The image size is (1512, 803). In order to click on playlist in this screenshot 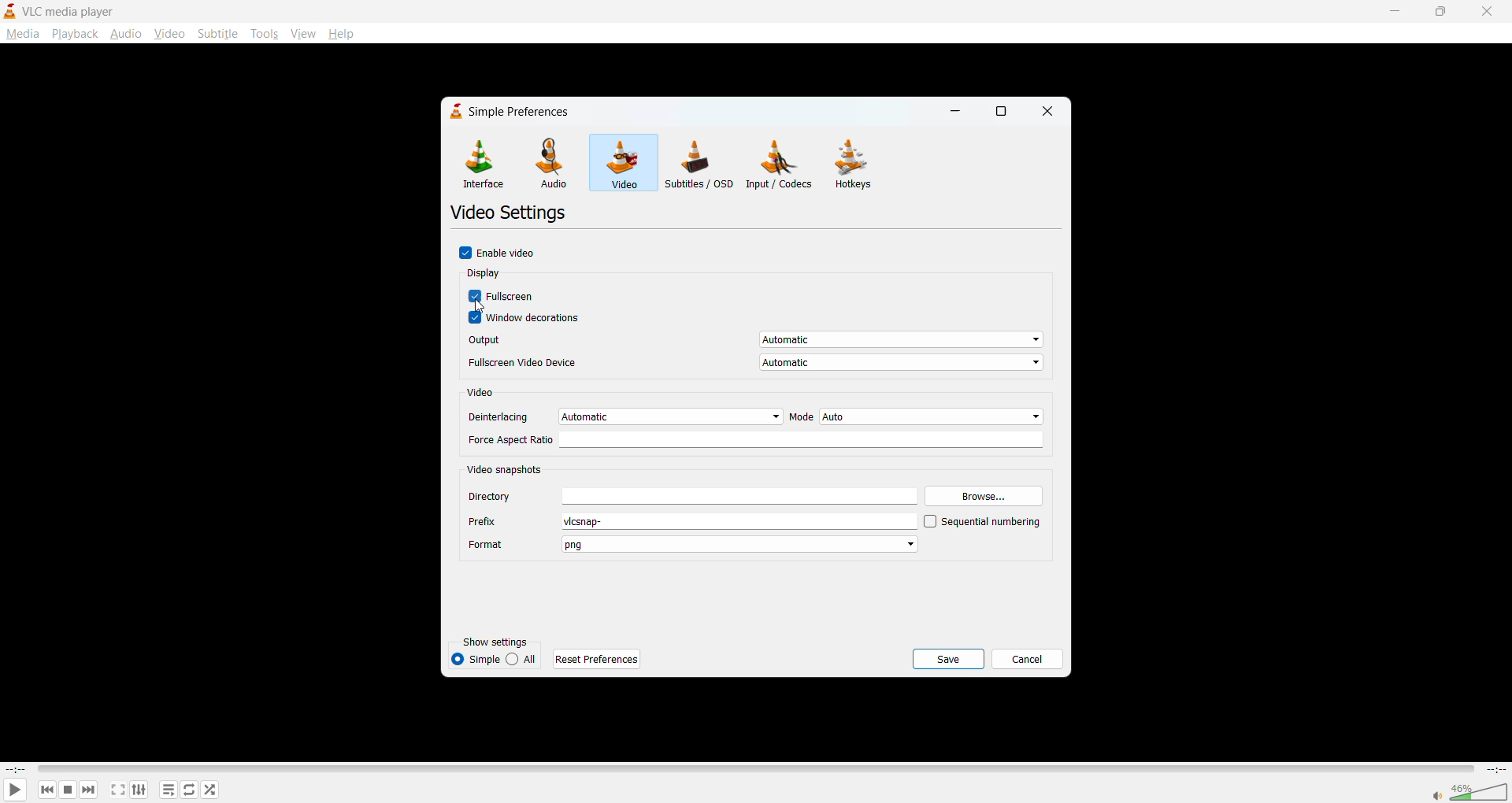, I will do `click(169, 790)`.